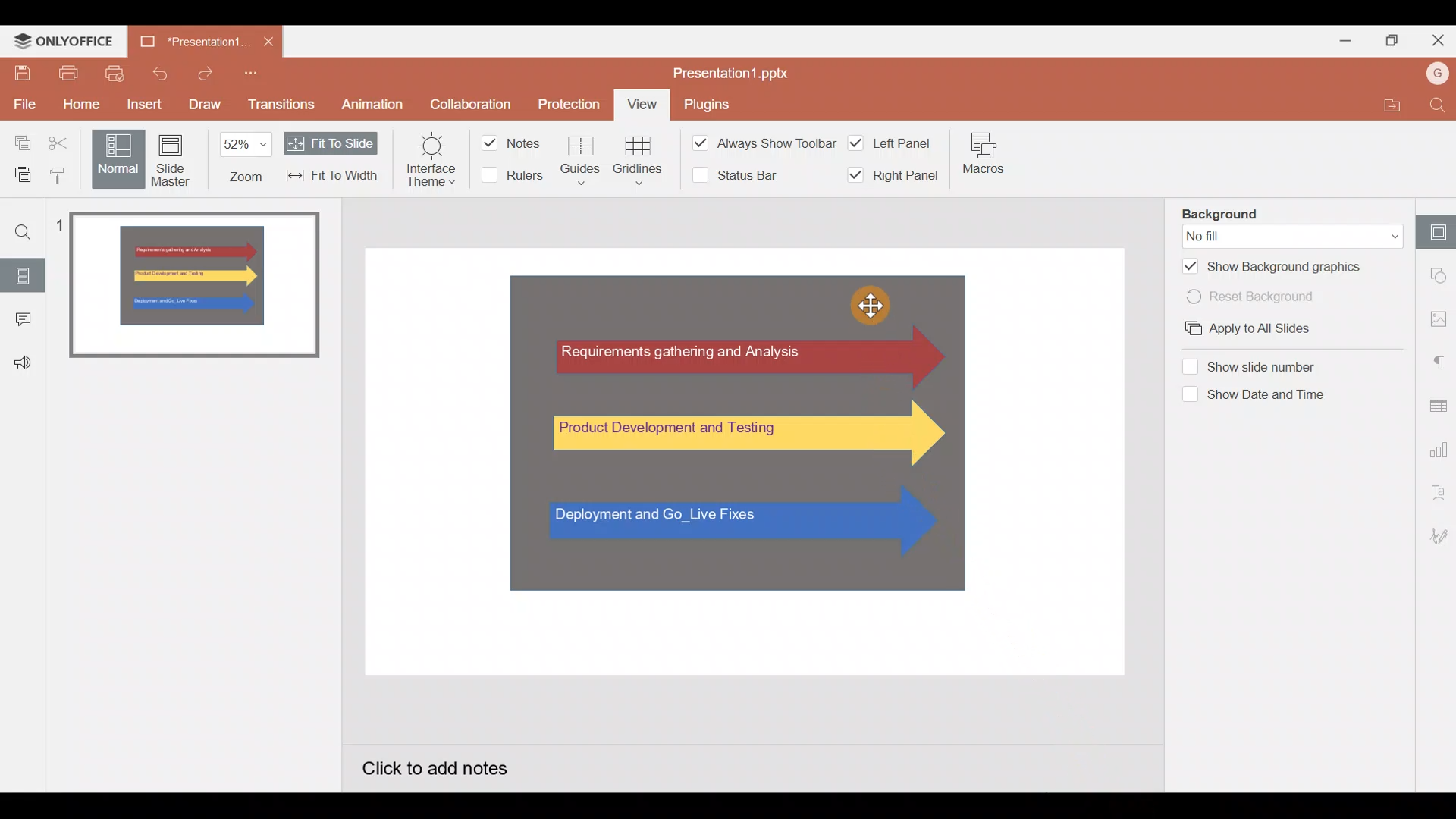  What do you see at coordinates (243, 159) in the screenshot?
I see `Zoom` at bounding box center [243, 159].